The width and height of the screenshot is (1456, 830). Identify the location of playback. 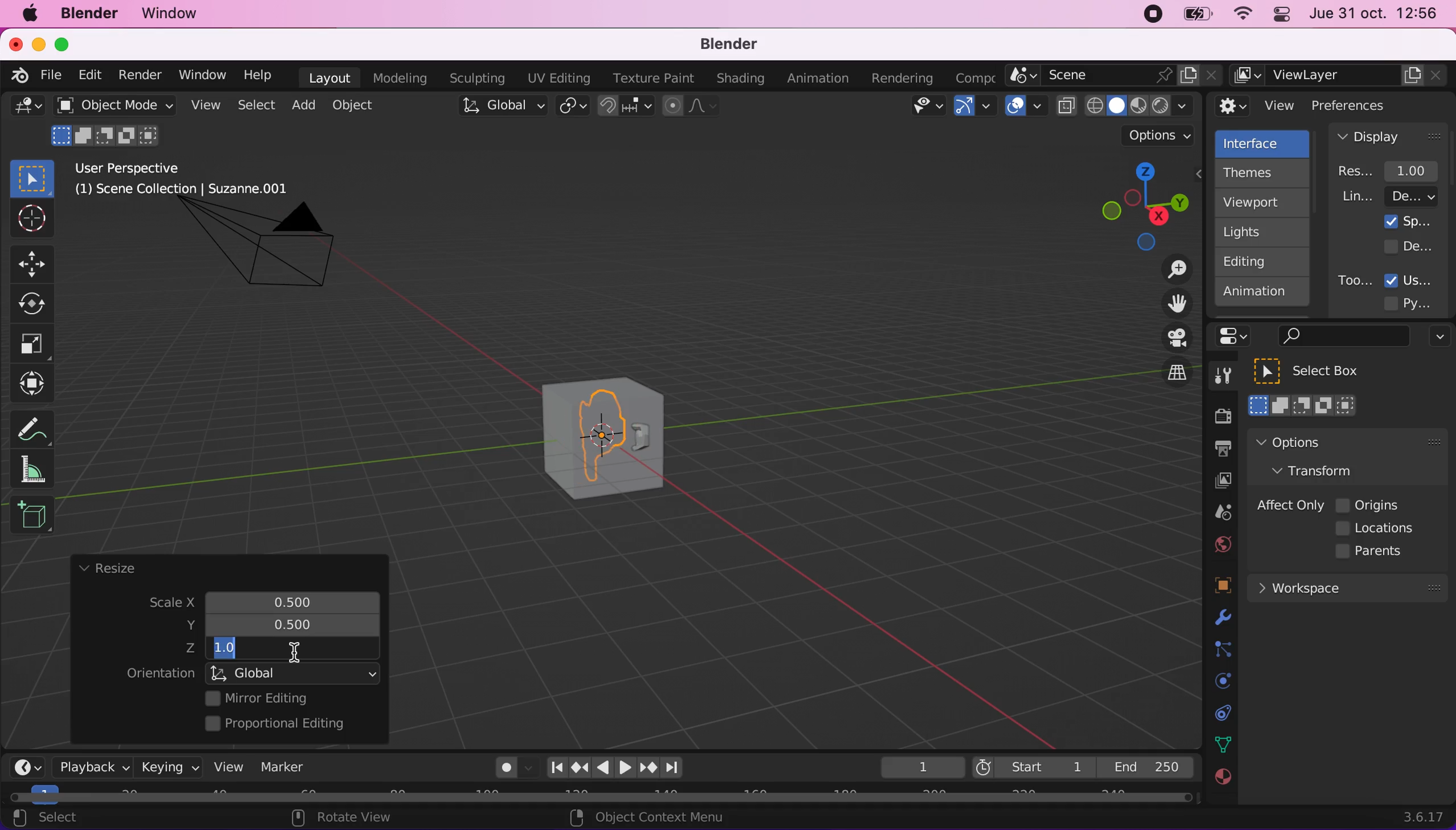
(89, 766).